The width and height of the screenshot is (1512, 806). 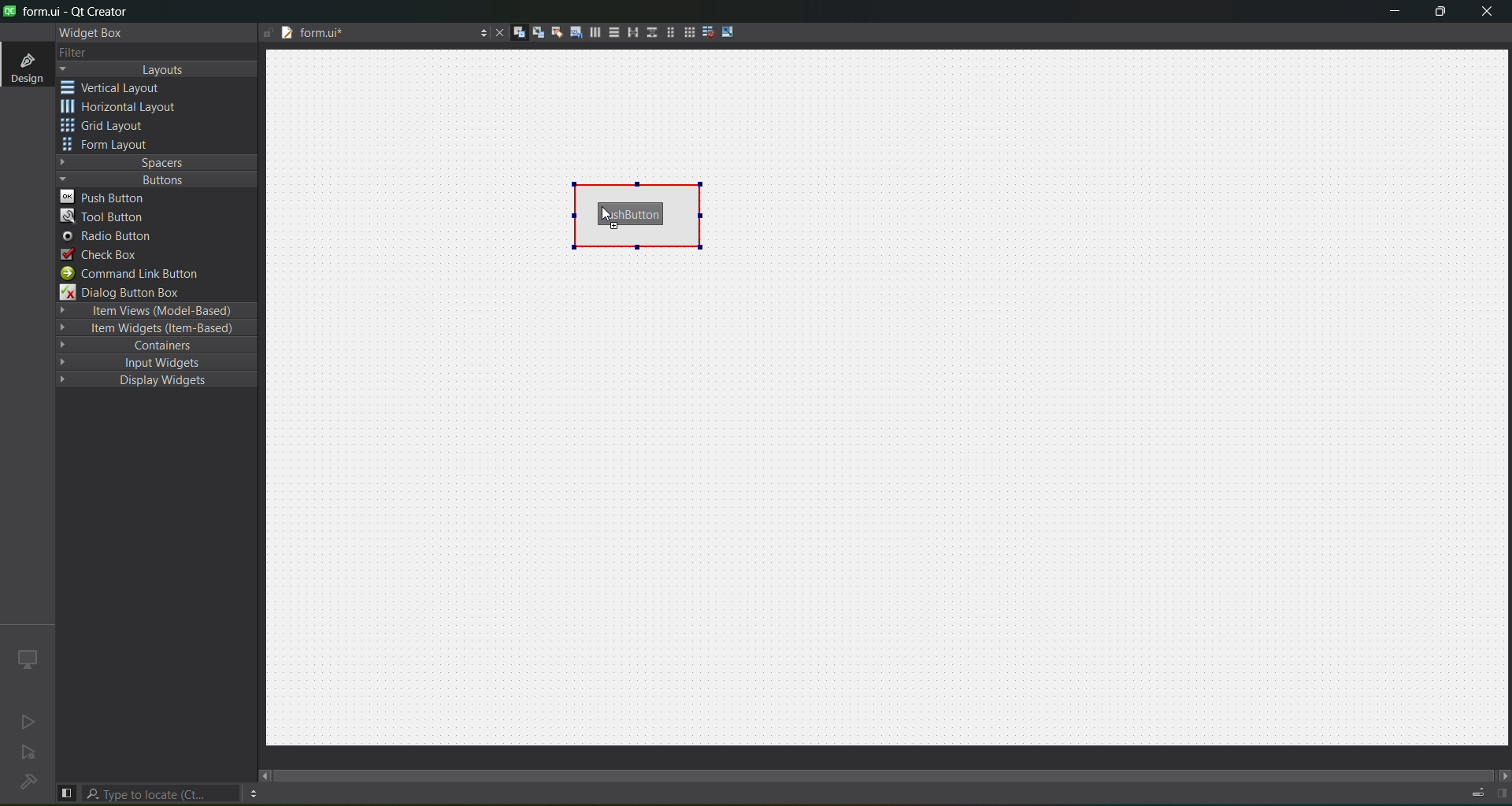 What do you see at coordinates (1438, 13) in the screenshot?
I see `maximize` at bounding box center [1438, 13].